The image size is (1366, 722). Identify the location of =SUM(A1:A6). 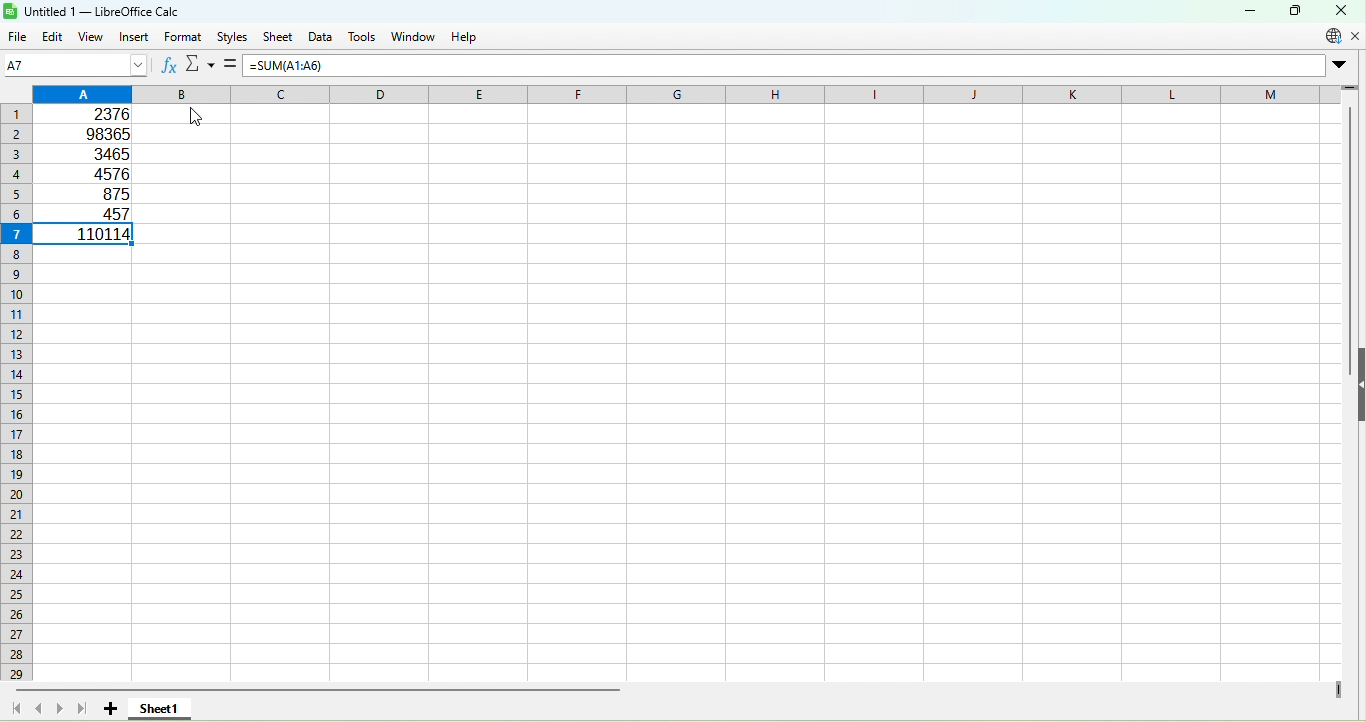
(295, 65).